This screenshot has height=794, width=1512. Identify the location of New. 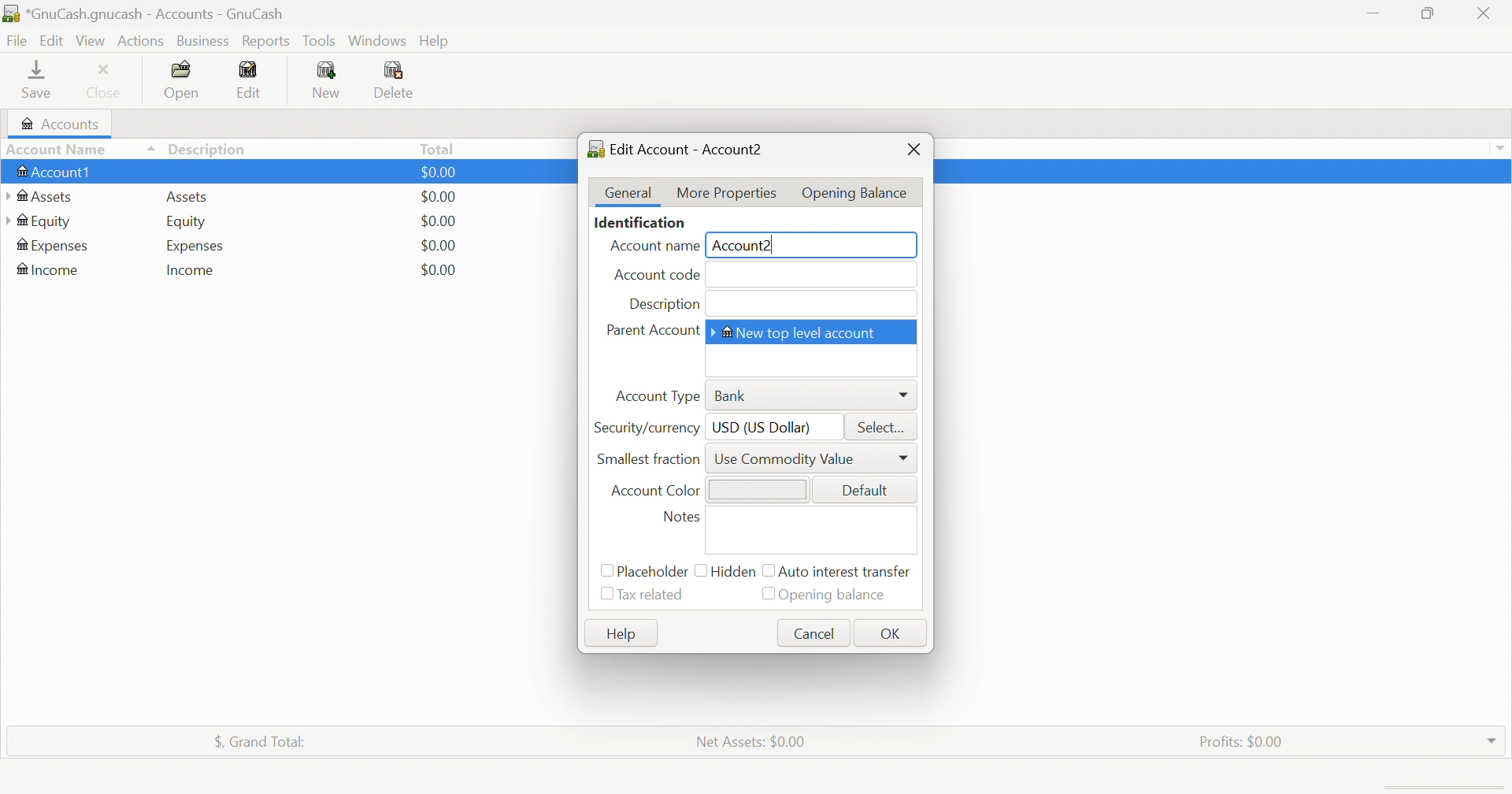
(328, 80).